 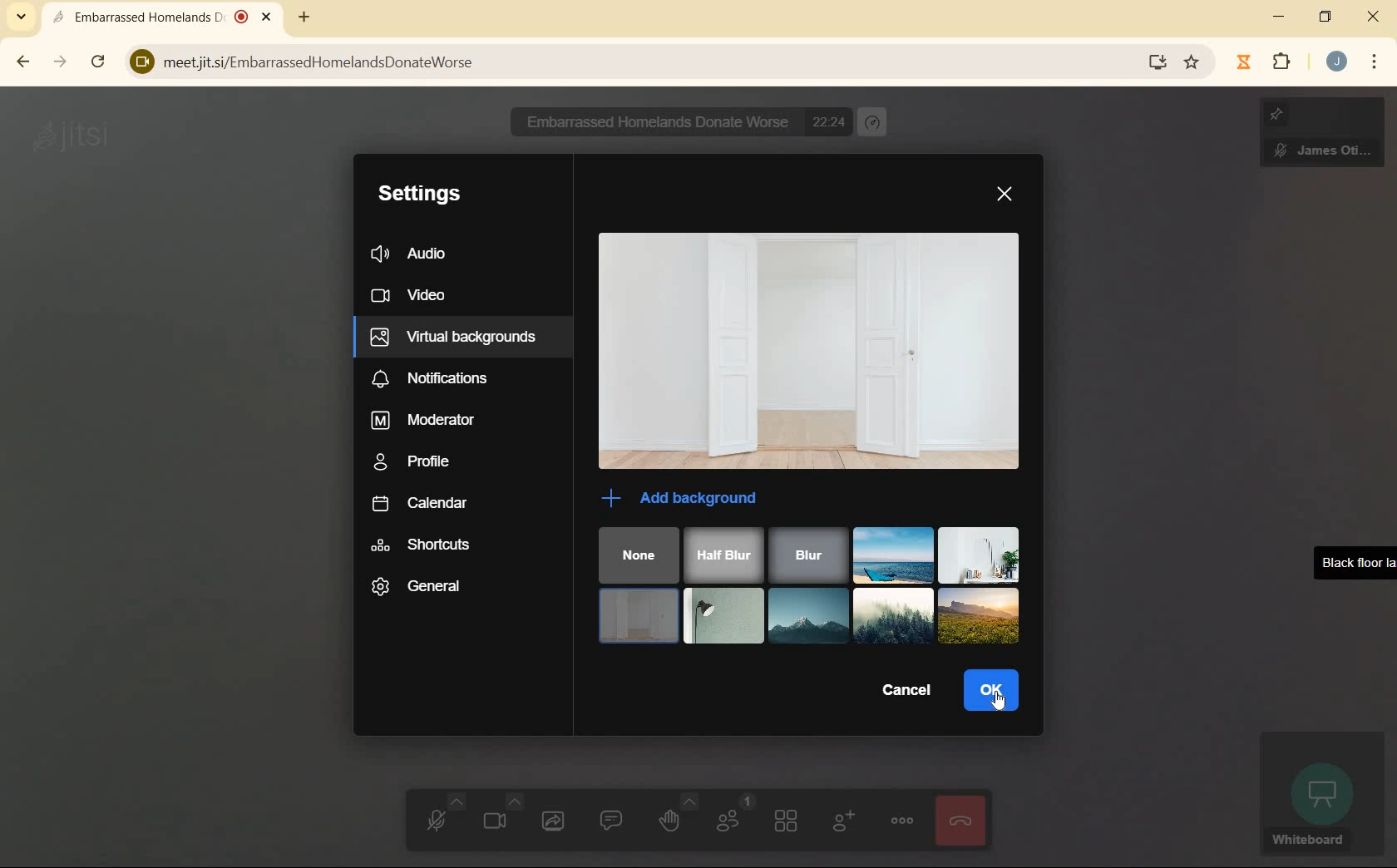 I want to click on calendar, so click(x=417, y=500).